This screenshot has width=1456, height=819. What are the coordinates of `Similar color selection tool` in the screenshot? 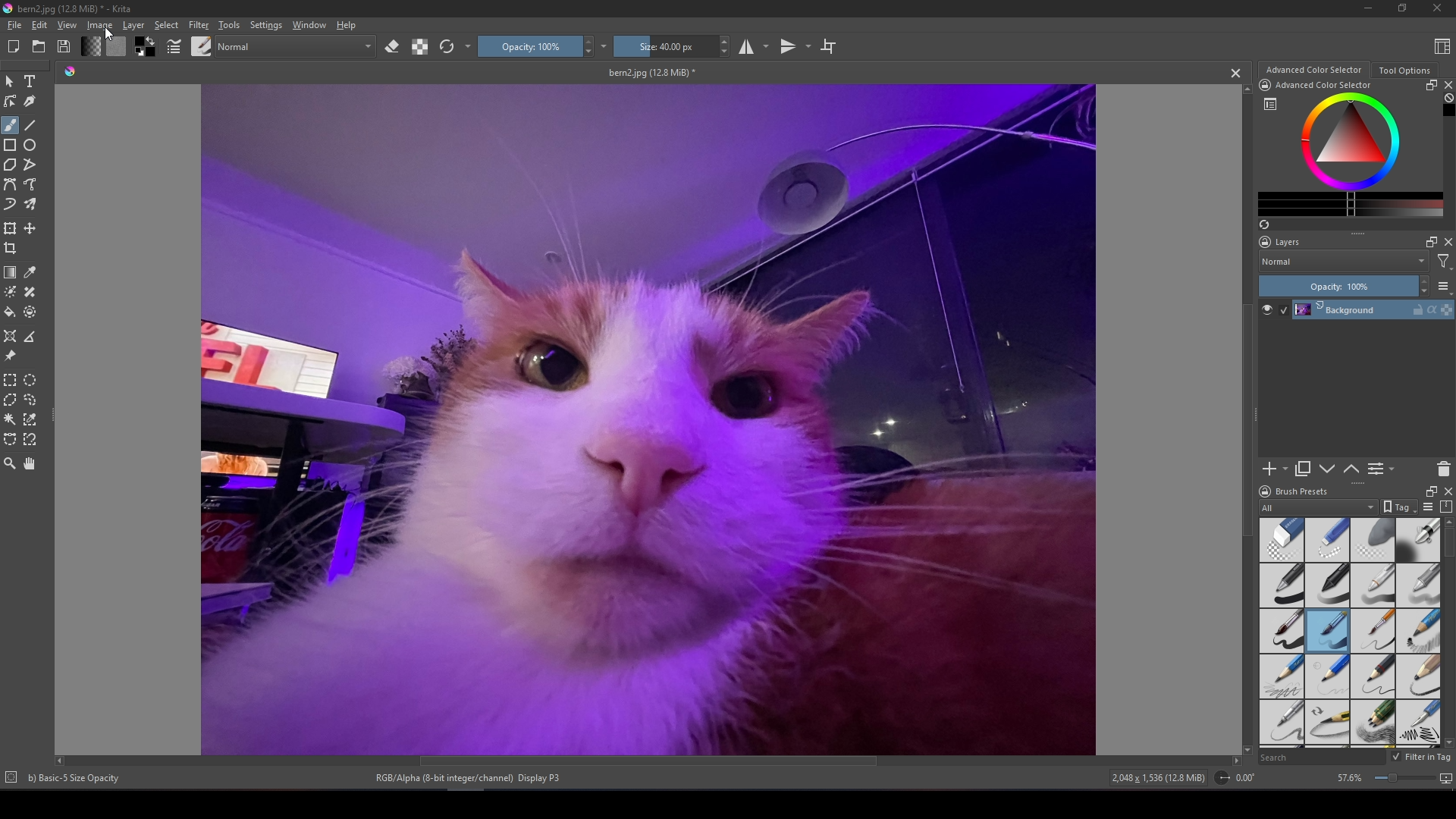 It's located at (30, 419).